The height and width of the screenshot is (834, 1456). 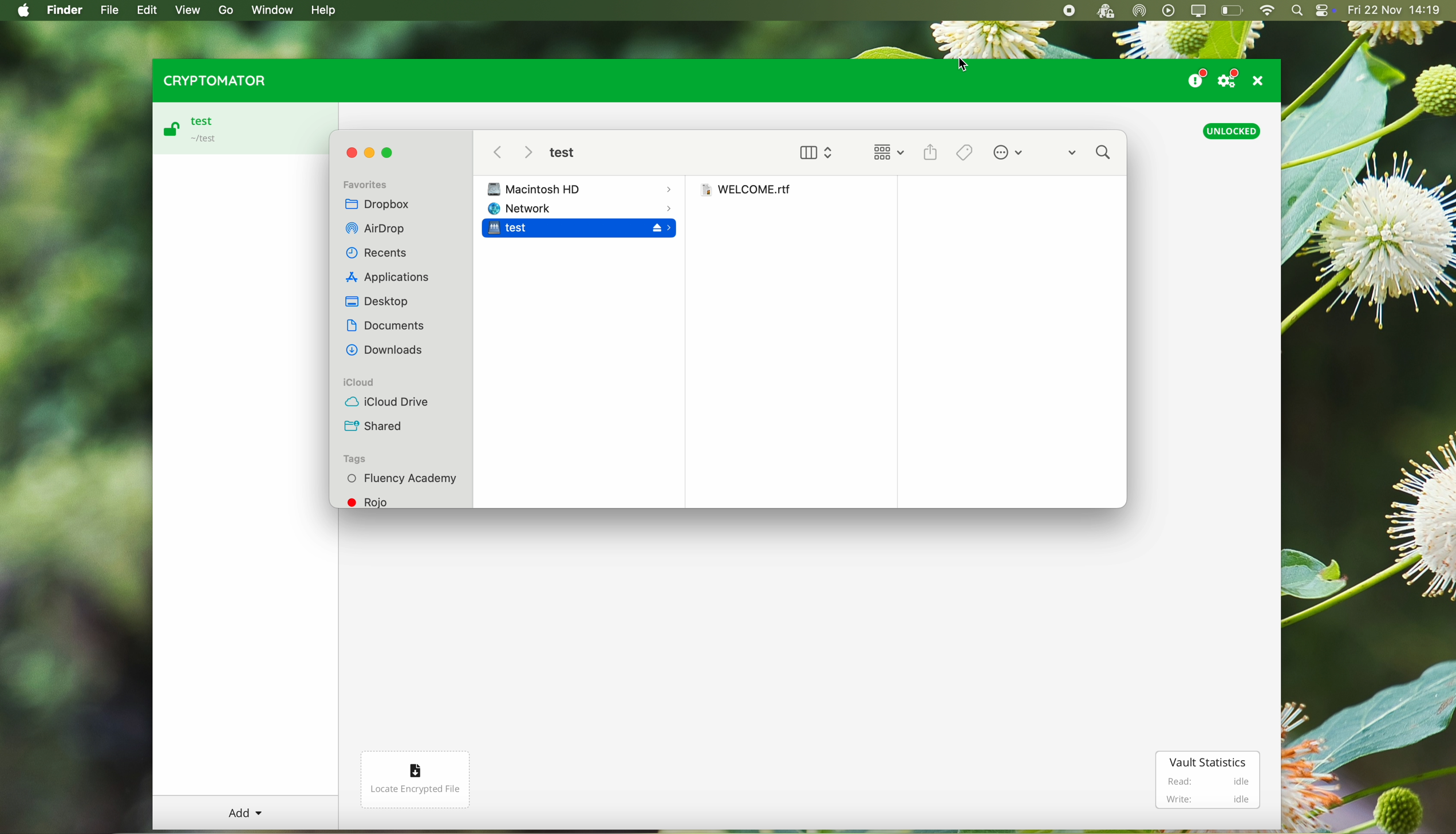 I want to click on settings, so click(x=1231, y=78).